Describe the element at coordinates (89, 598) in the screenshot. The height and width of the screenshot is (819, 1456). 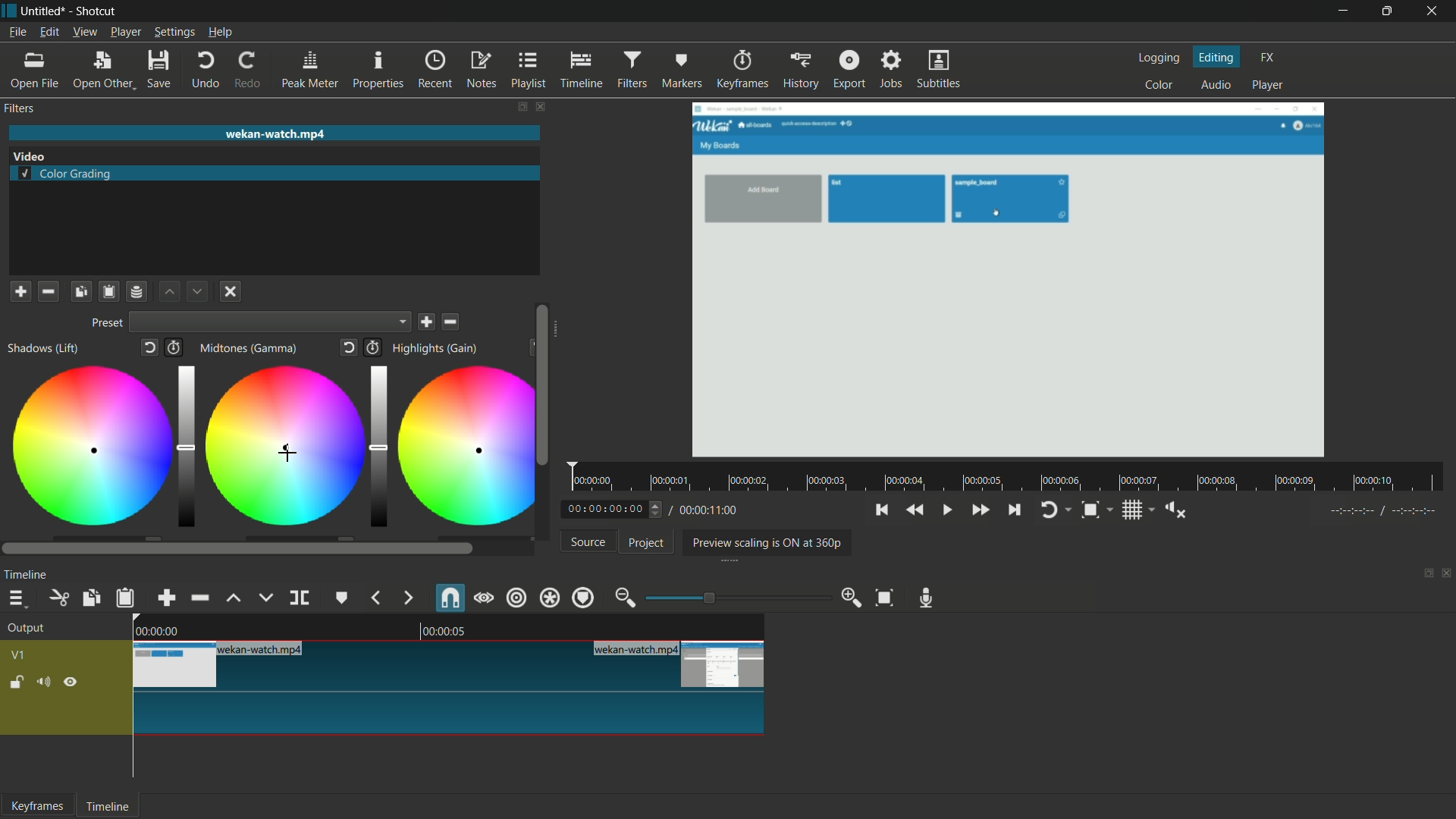
I see `copy` at that location.